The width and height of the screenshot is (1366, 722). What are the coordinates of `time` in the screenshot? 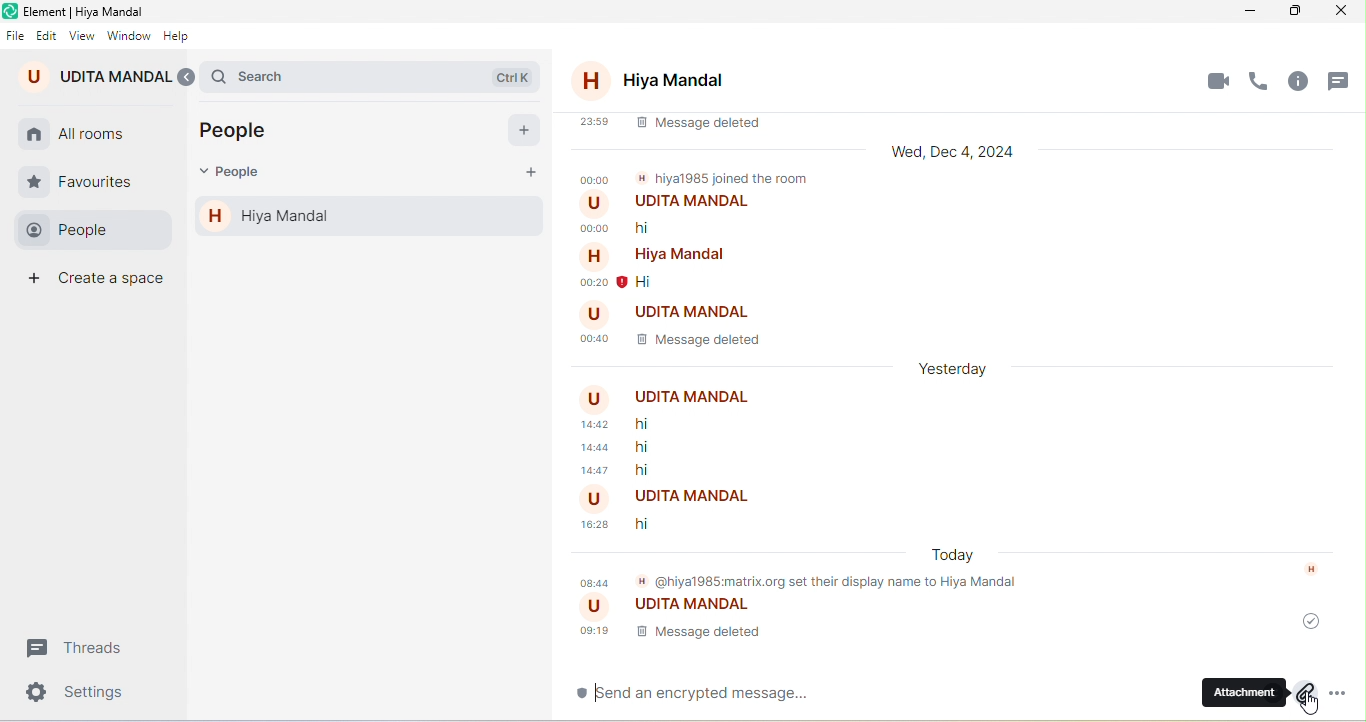 It's located at (603, 285).